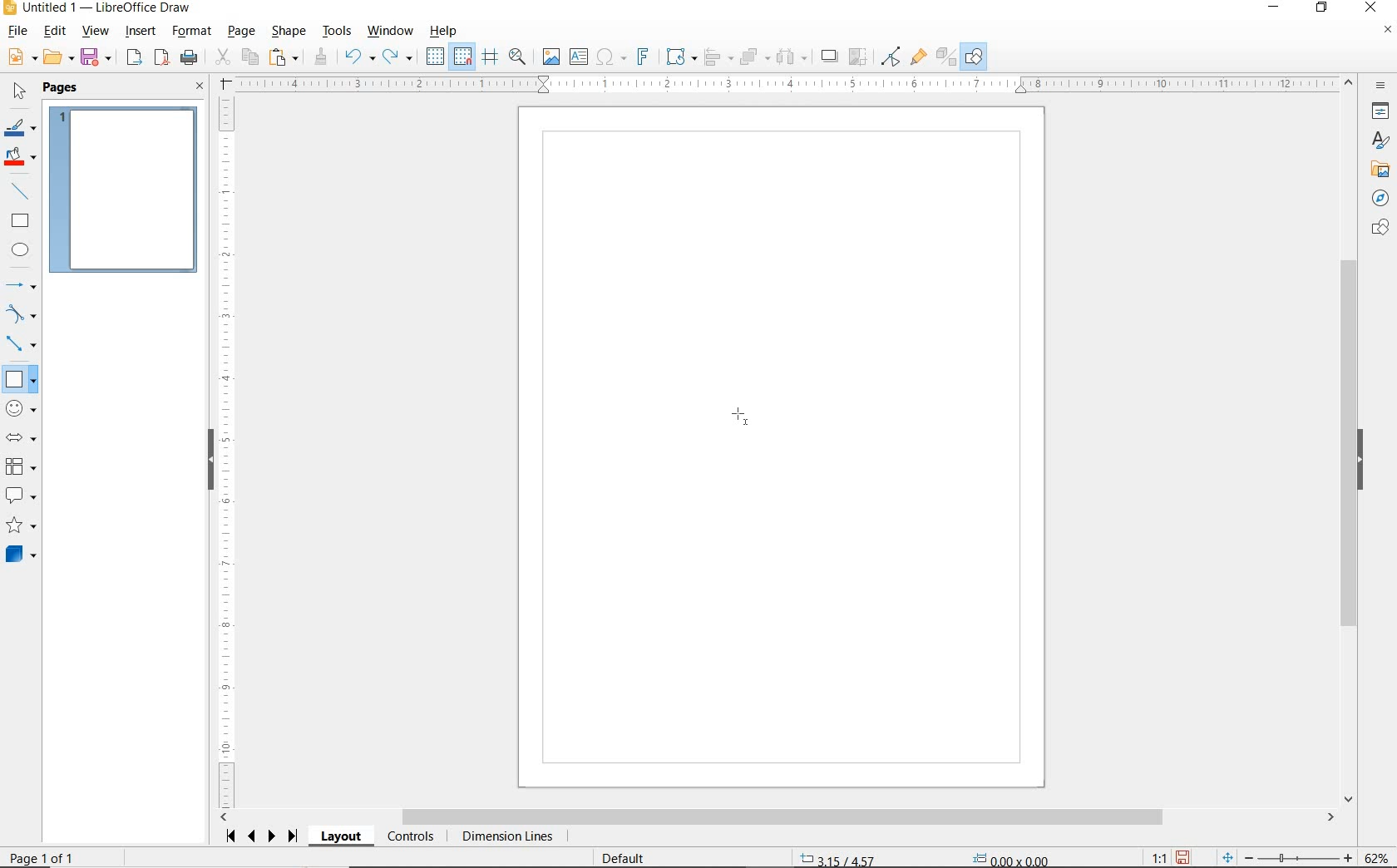 This screenshot has width=1397, height=868. Describe the element at coordinates (679, 57) in the screenshot. I see `TRANSFORMATIONS` at that location.